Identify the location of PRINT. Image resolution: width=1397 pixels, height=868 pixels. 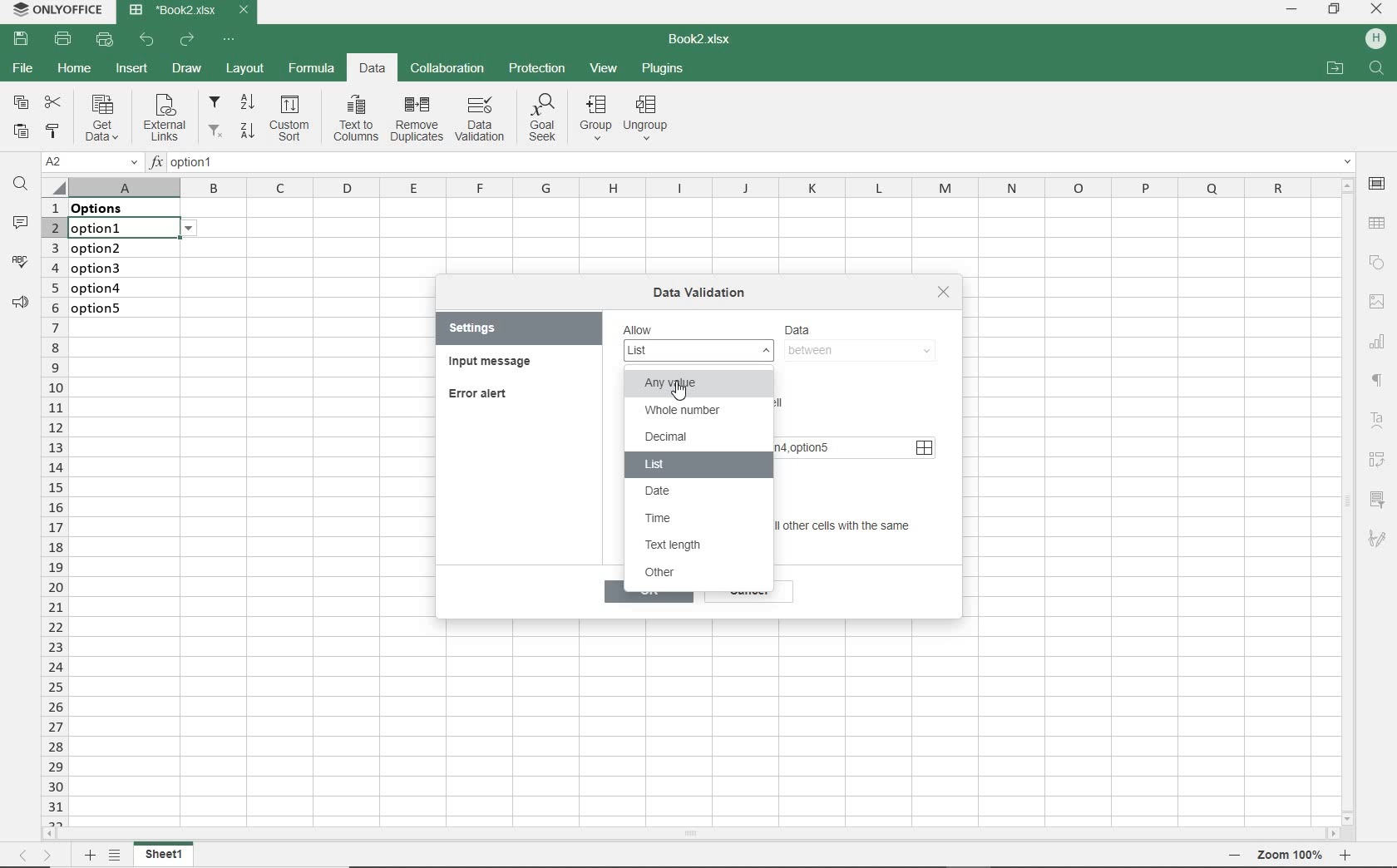
(62, 40).